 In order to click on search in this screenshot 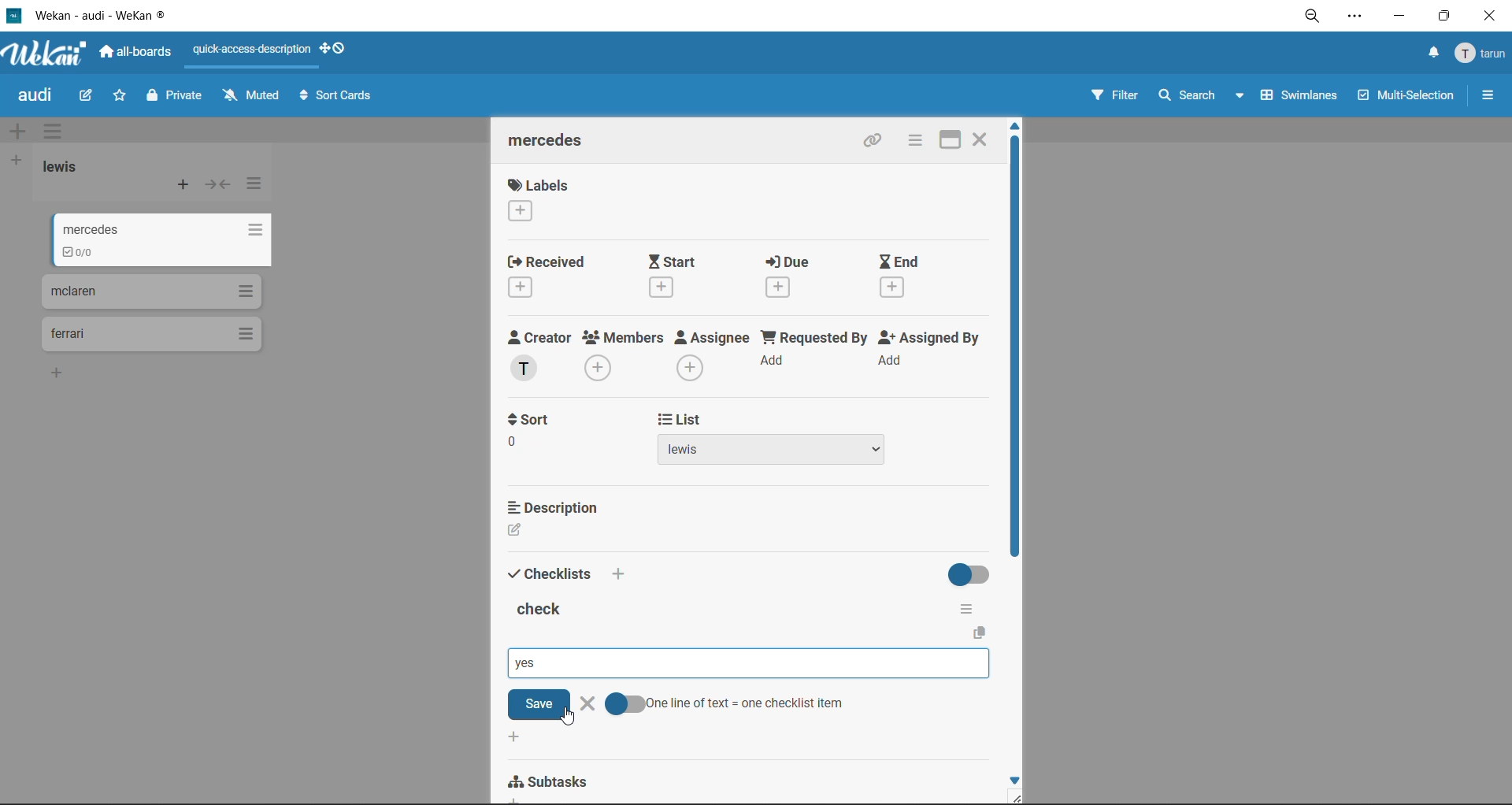, I will do `click(1196, 96)`.